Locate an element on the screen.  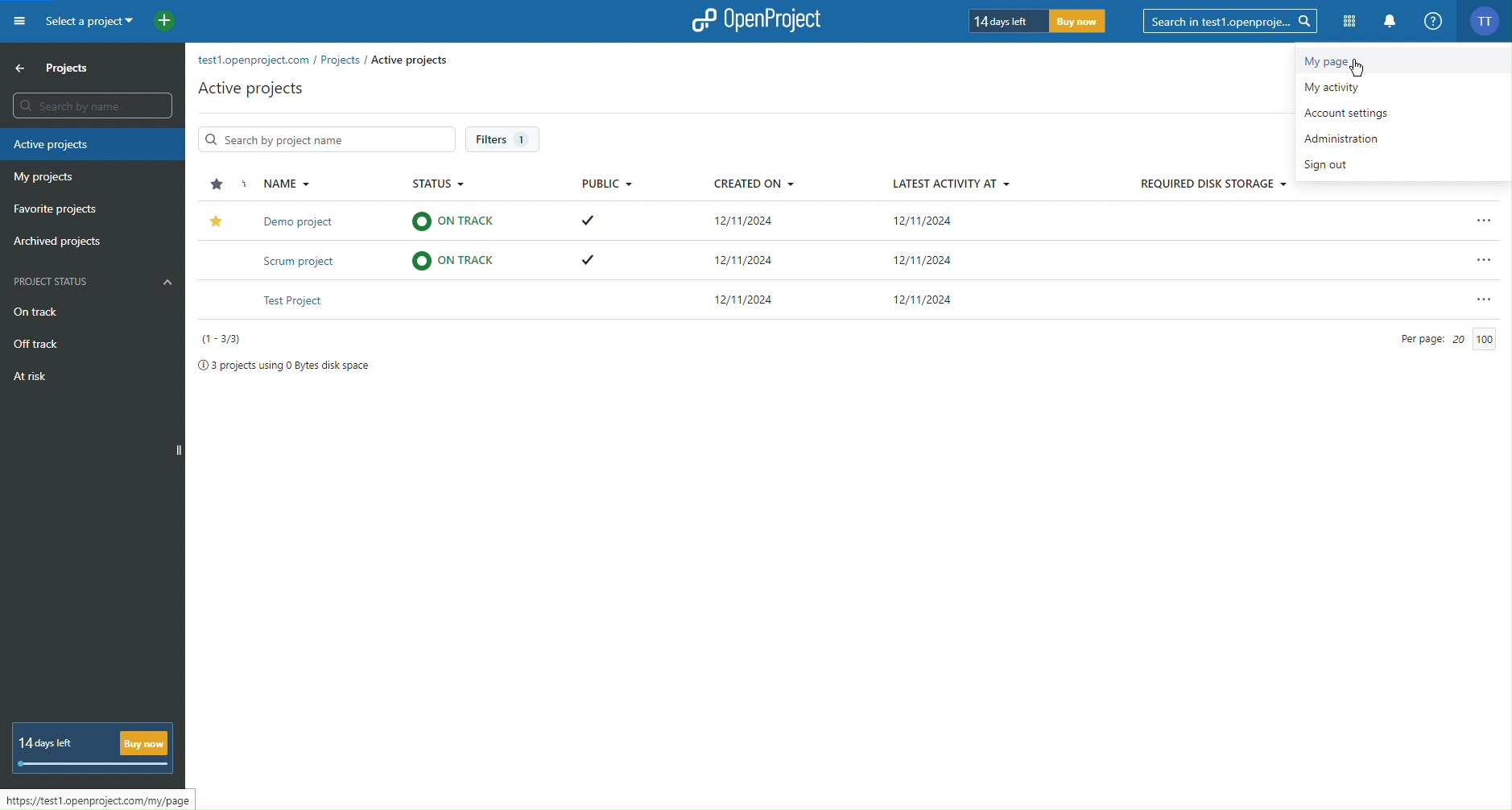
Active projects is located at coordinates (250, 89).